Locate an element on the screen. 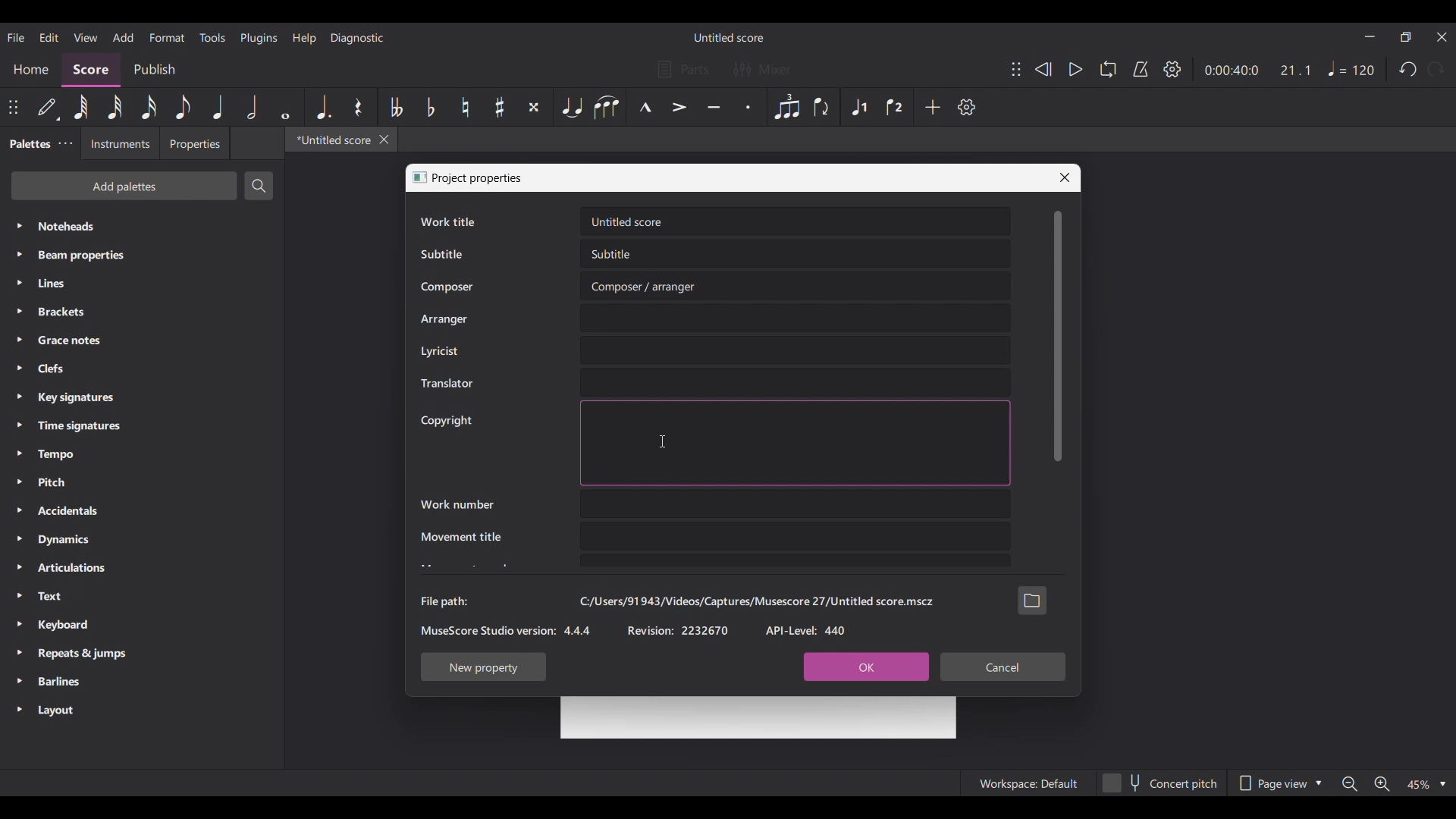  Movement title is located at coordinates (460, 536).